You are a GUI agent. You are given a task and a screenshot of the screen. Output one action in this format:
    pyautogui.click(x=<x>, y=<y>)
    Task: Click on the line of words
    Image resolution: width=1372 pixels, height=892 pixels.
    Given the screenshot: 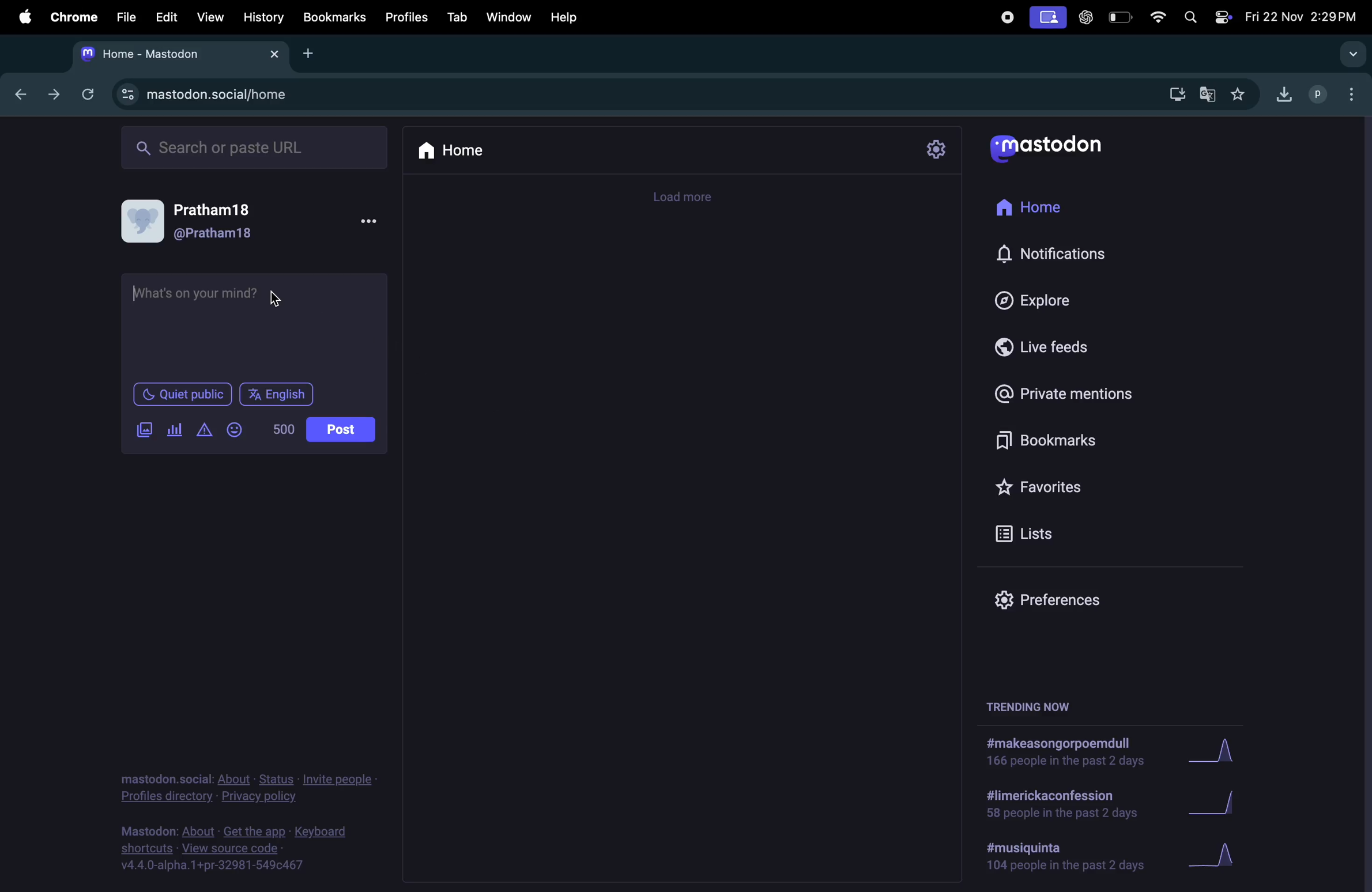 What is the action you would take?
    pyautogui.click(x=281, y=430)
    